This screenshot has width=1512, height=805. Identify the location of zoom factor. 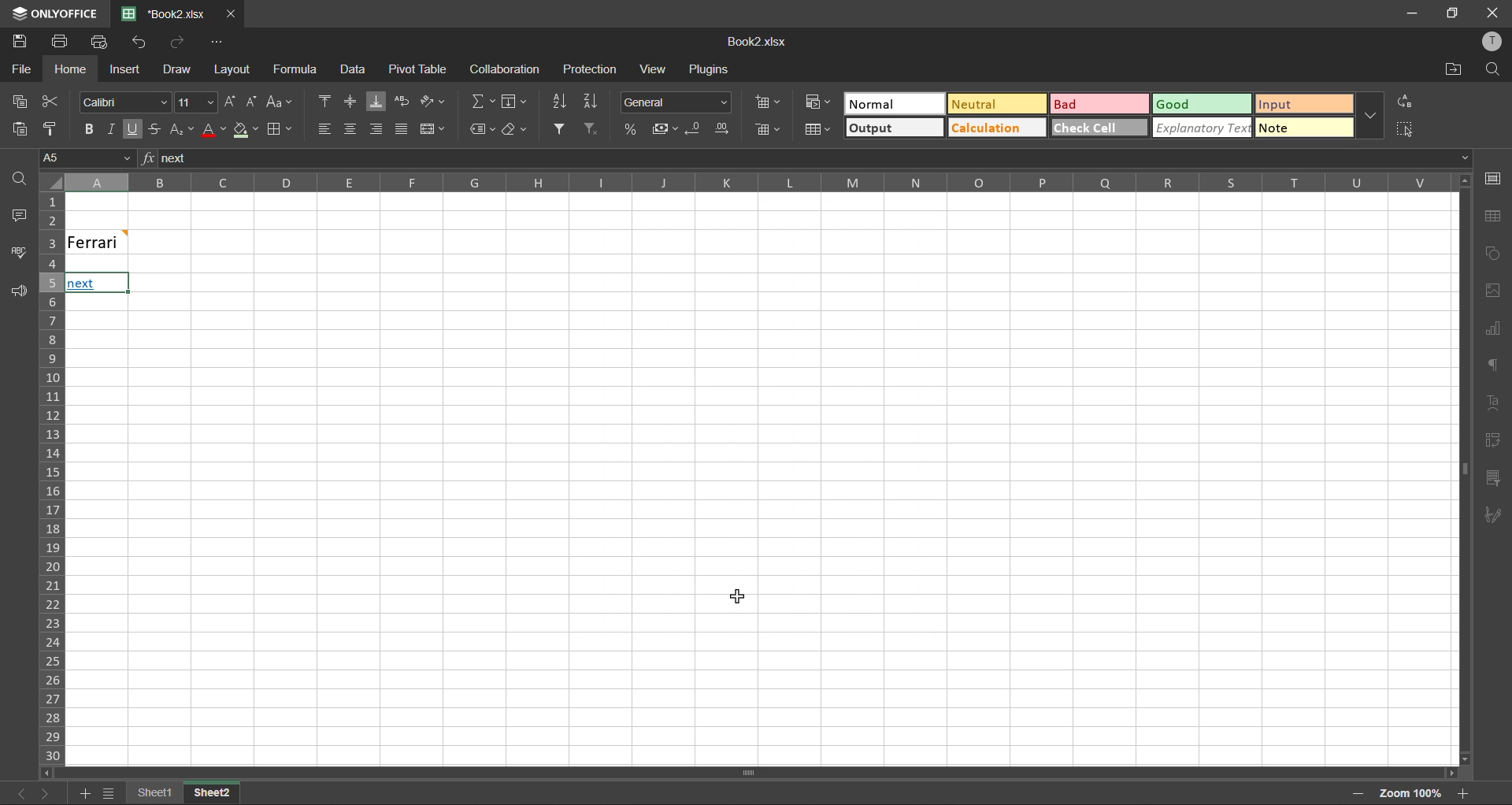
(1412, 792).